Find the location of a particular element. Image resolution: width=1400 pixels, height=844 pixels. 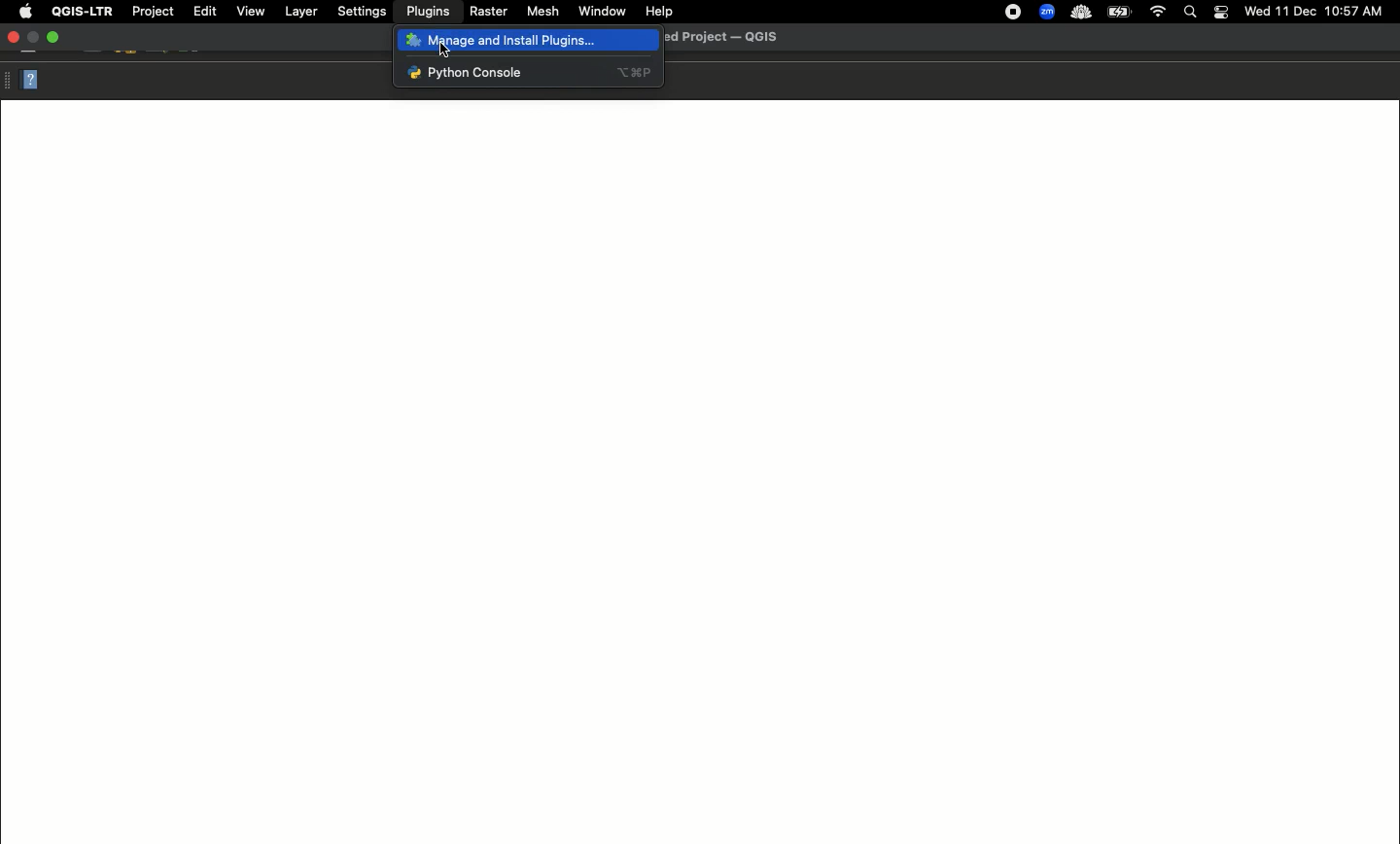

Extension is located at coordinates (1015, 13).